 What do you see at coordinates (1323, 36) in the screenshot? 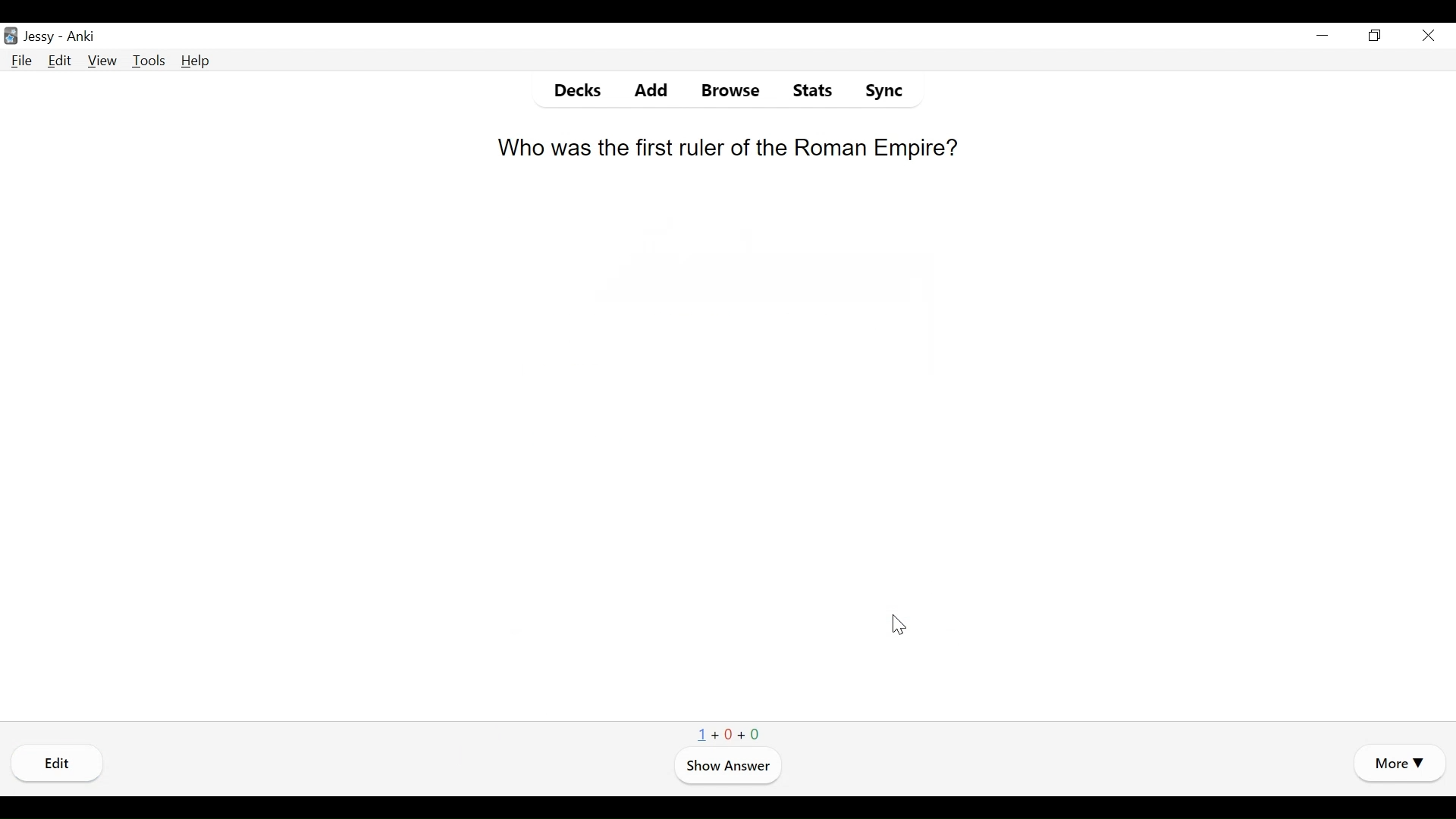
I see `minimize` at bounding box center [1323, 36].